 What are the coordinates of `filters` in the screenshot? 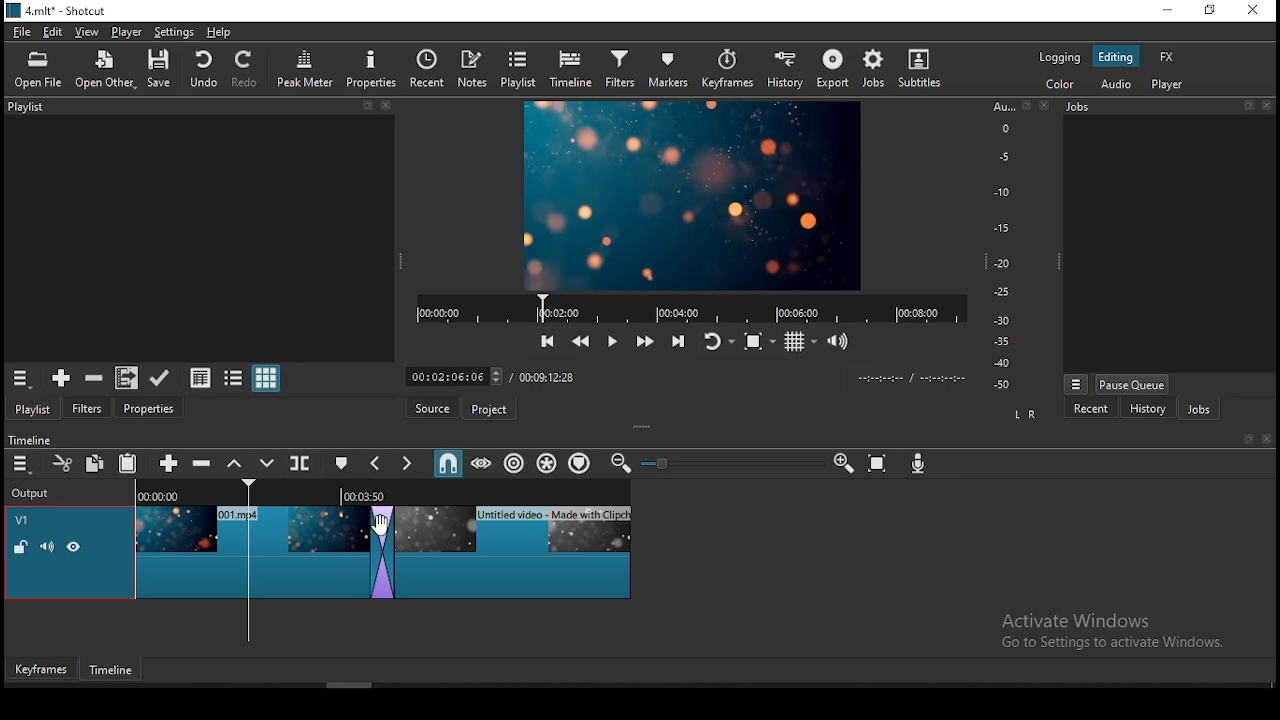 It's located at (623, 69).